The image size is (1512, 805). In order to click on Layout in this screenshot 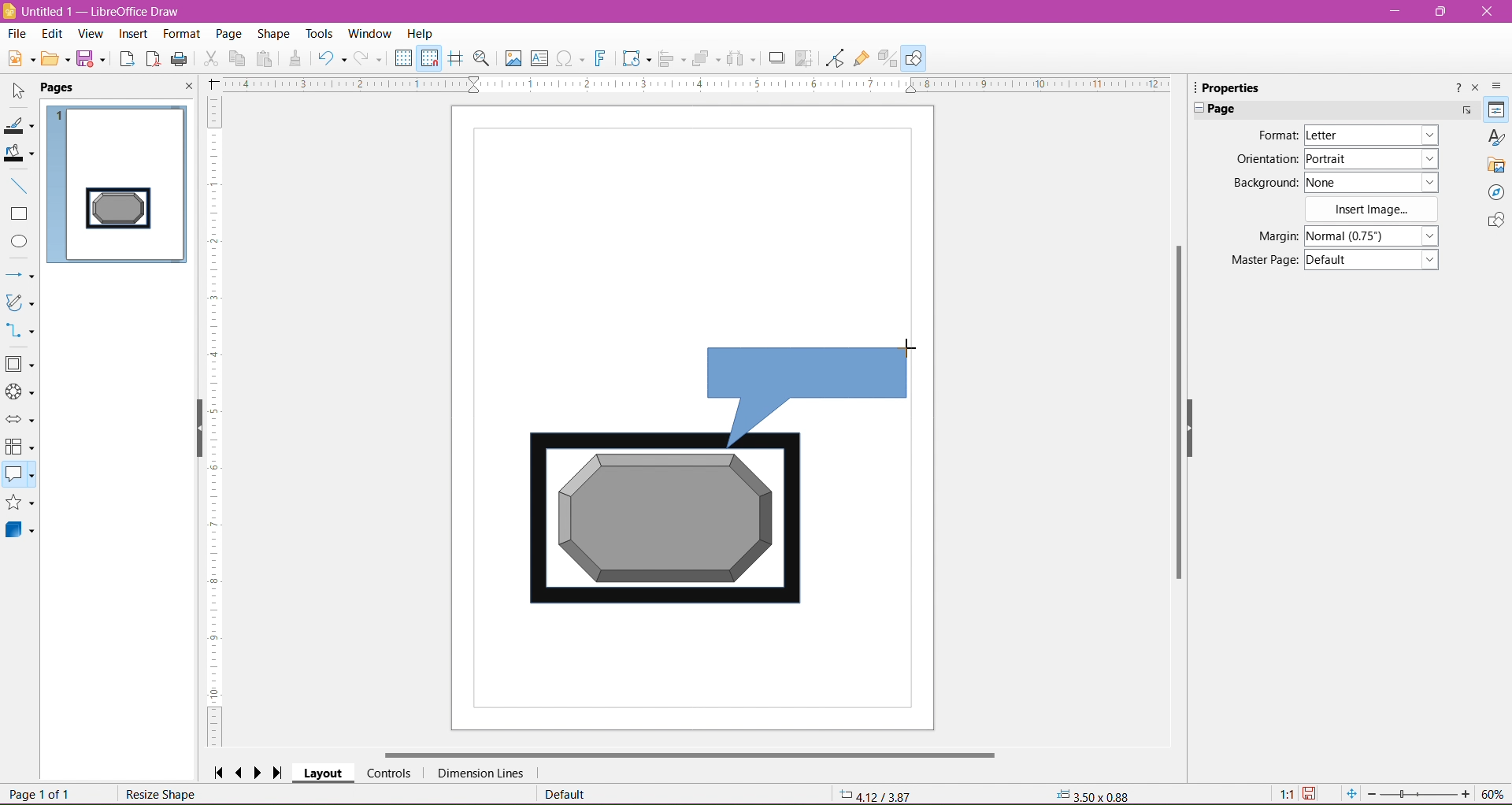, I will do `click(324, 774)`.